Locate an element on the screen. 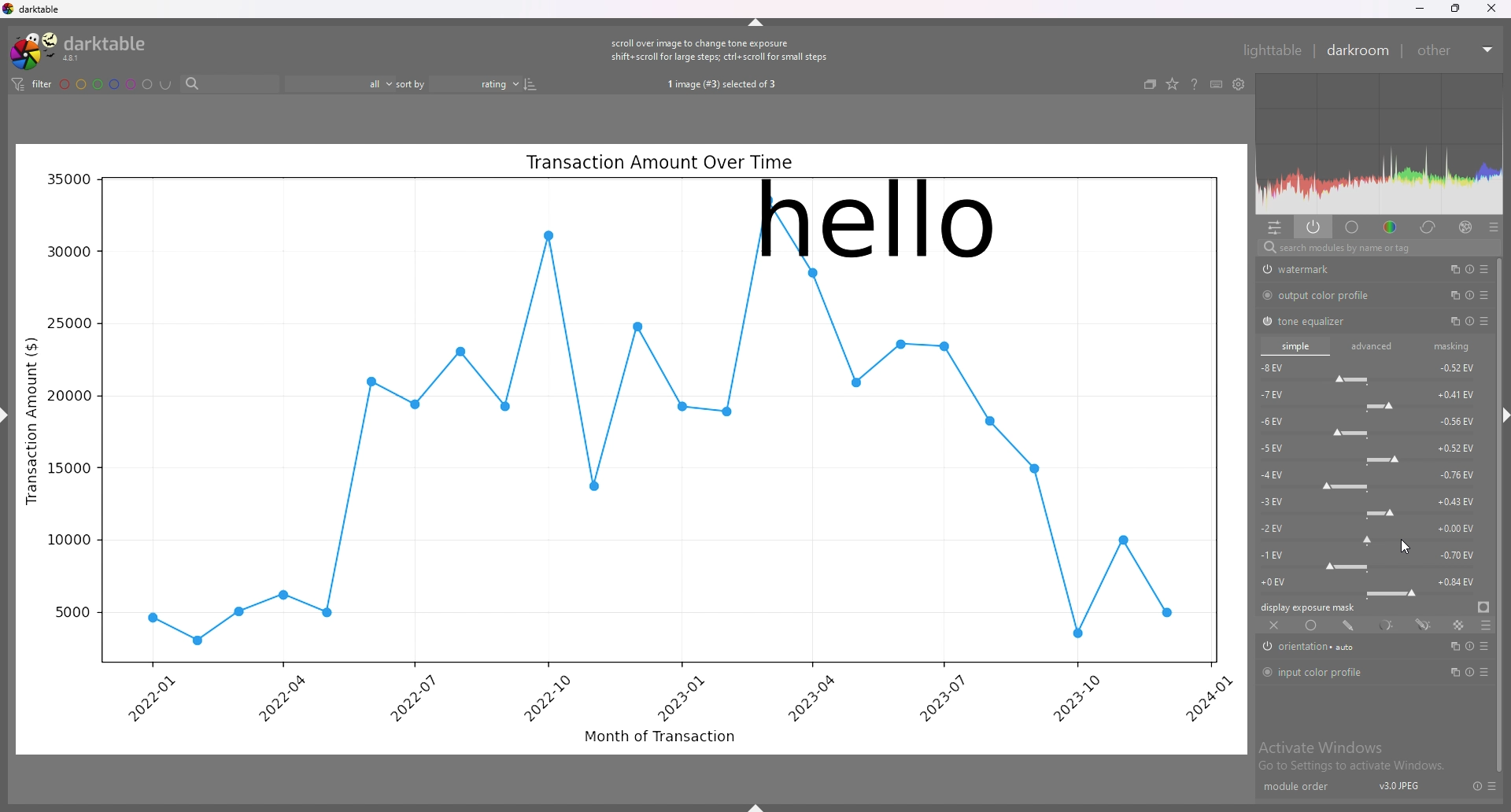 Image resolution: width=1511 pixels, height=812 pixels. presets is located at coordinates (1491, 786).